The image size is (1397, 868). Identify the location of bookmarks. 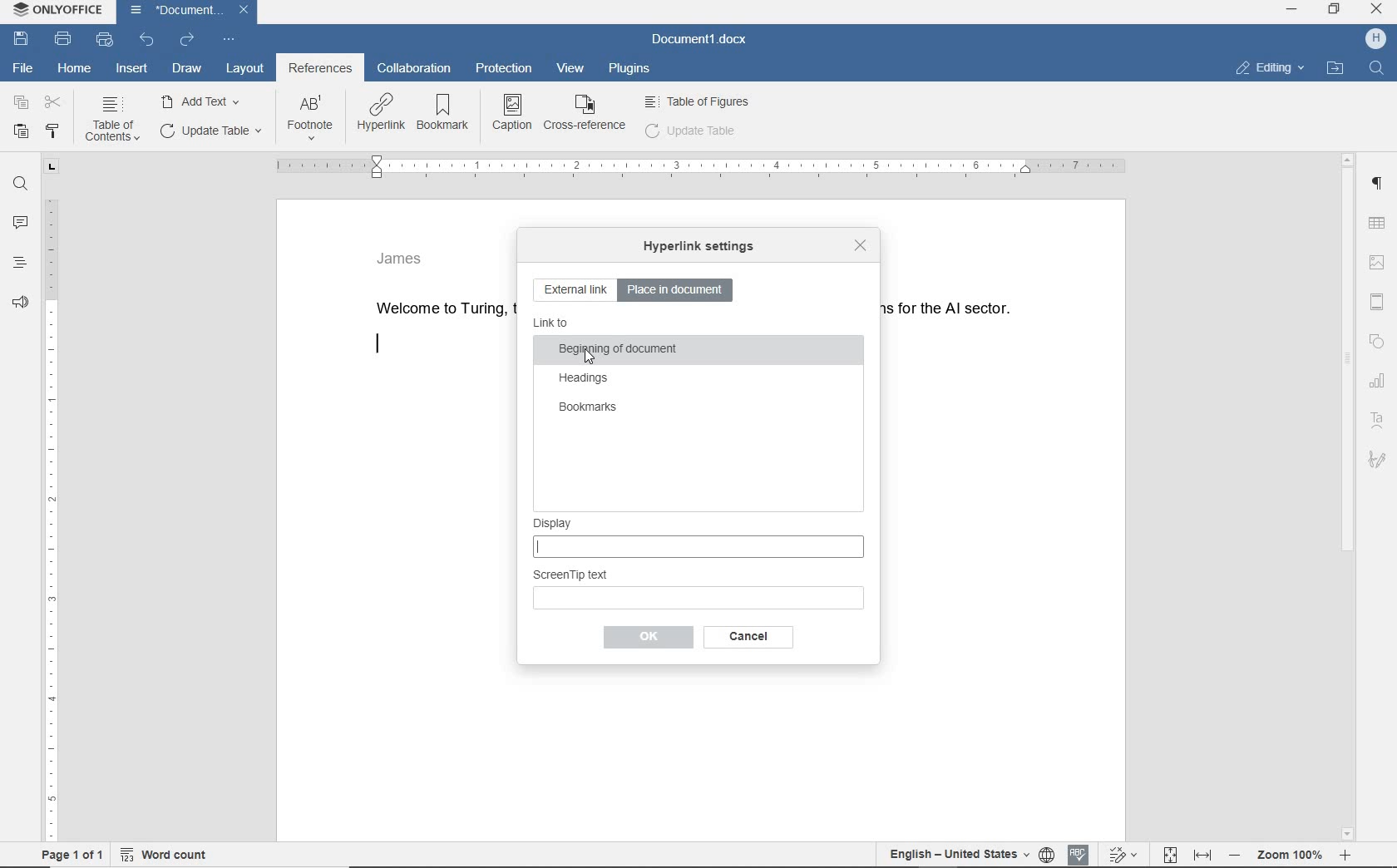
(587, 408).